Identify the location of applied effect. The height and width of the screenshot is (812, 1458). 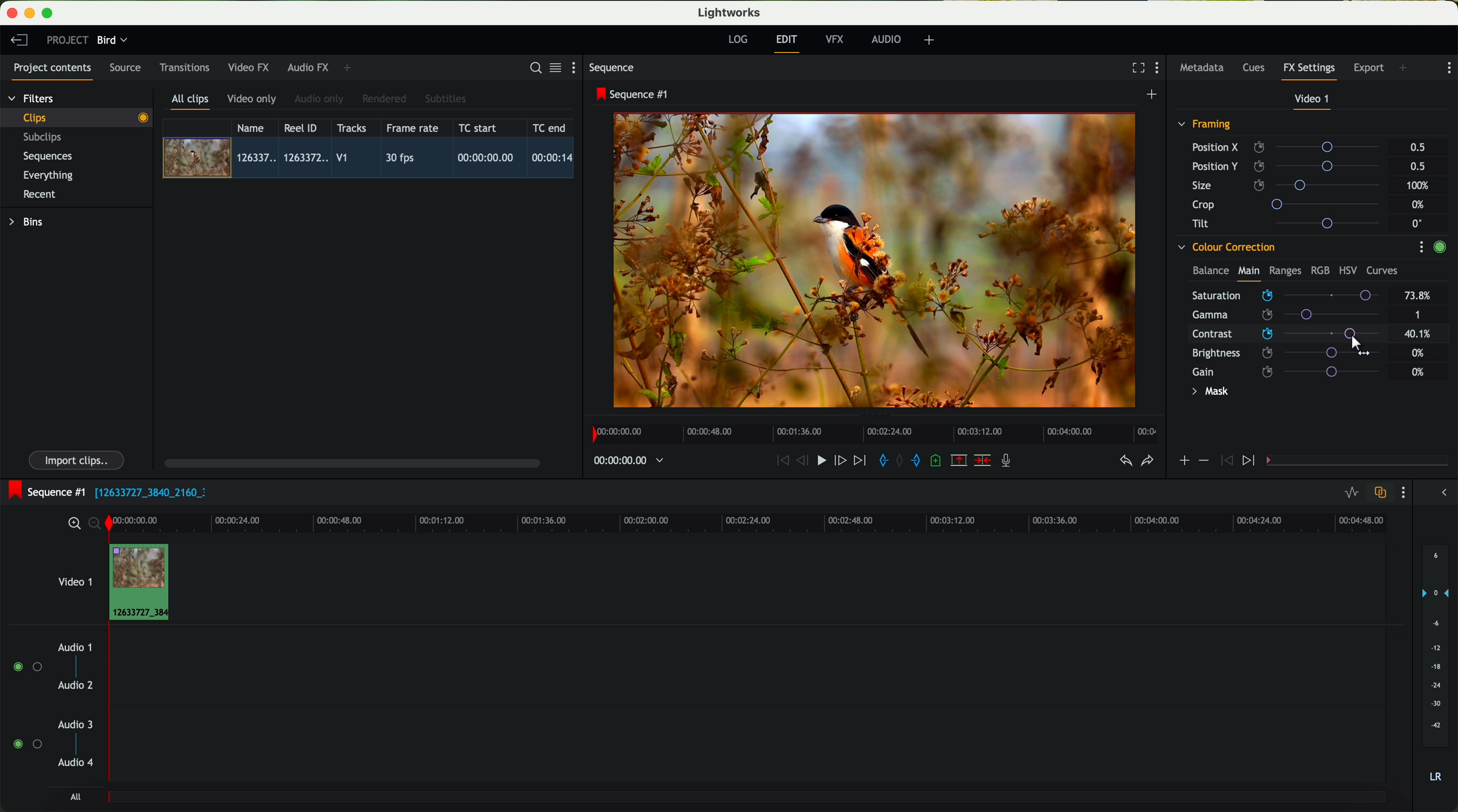
(877, 260).